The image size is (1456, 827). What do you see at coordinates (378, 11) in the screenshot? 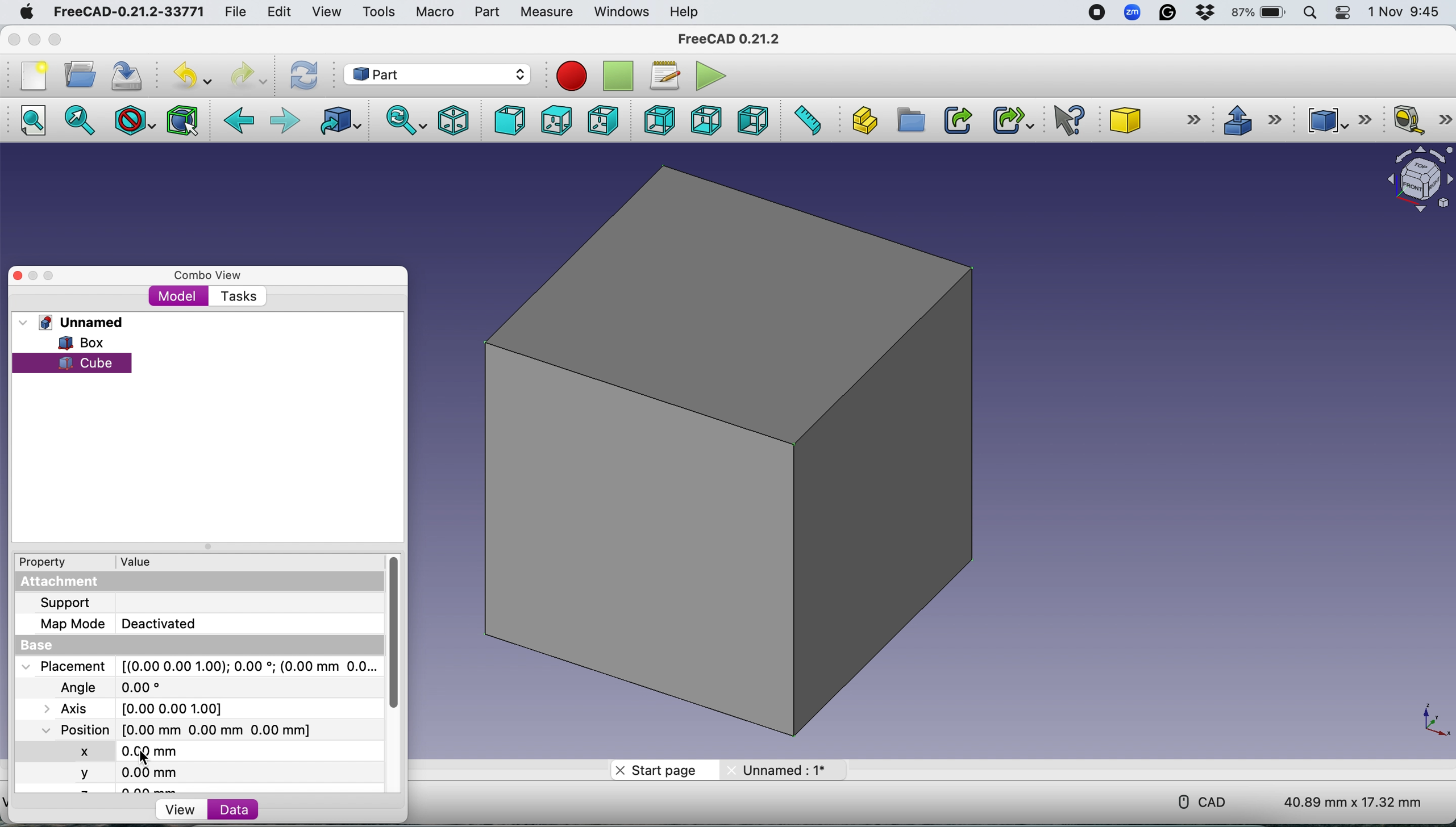
I see `Tools` at bounding box center [378, 11].